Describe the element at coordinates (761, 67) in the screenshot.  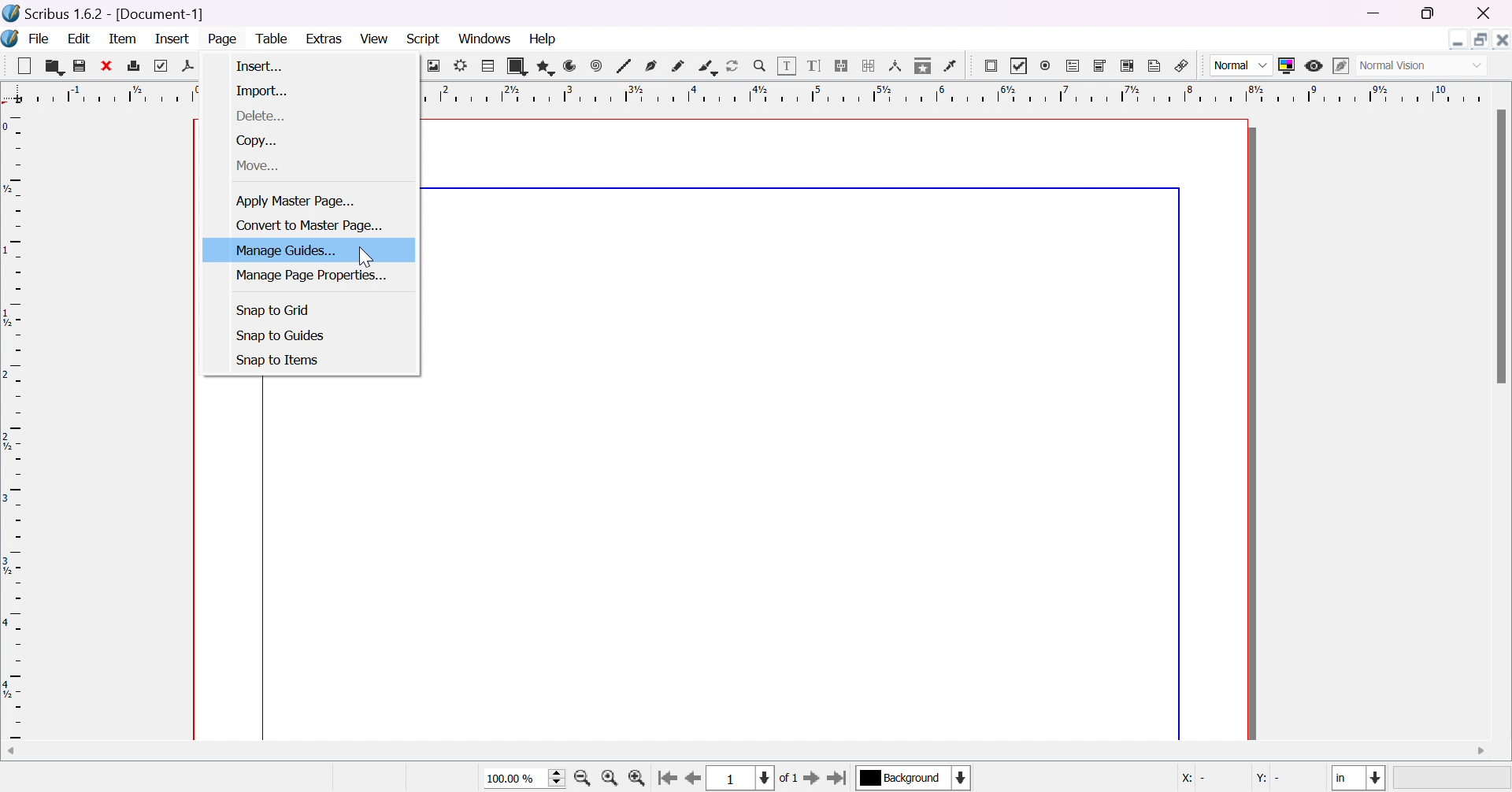
I see `zoom in / zoom out` at that location.